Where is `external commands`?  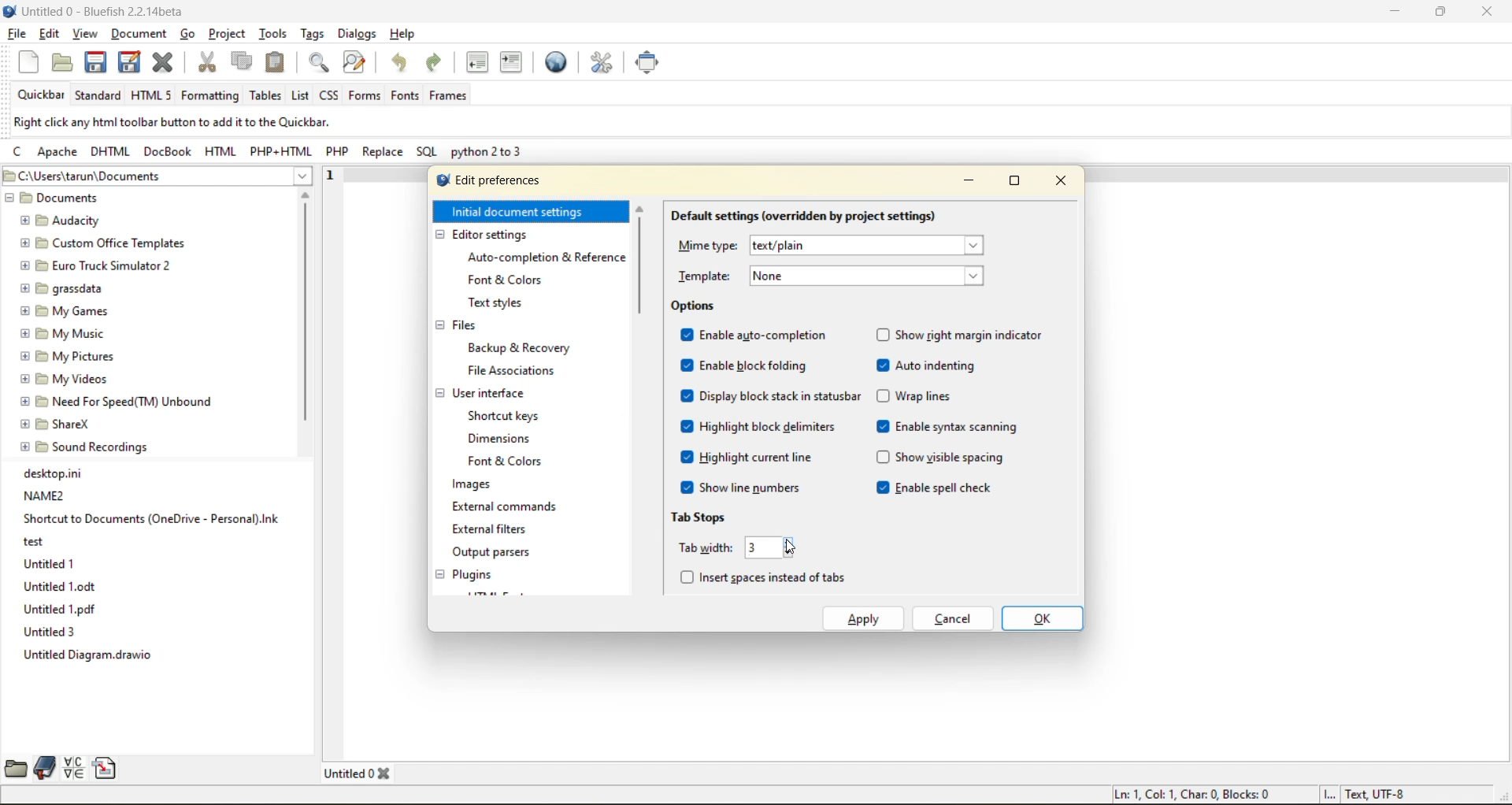
external commands is located at coordinates (504, 510).